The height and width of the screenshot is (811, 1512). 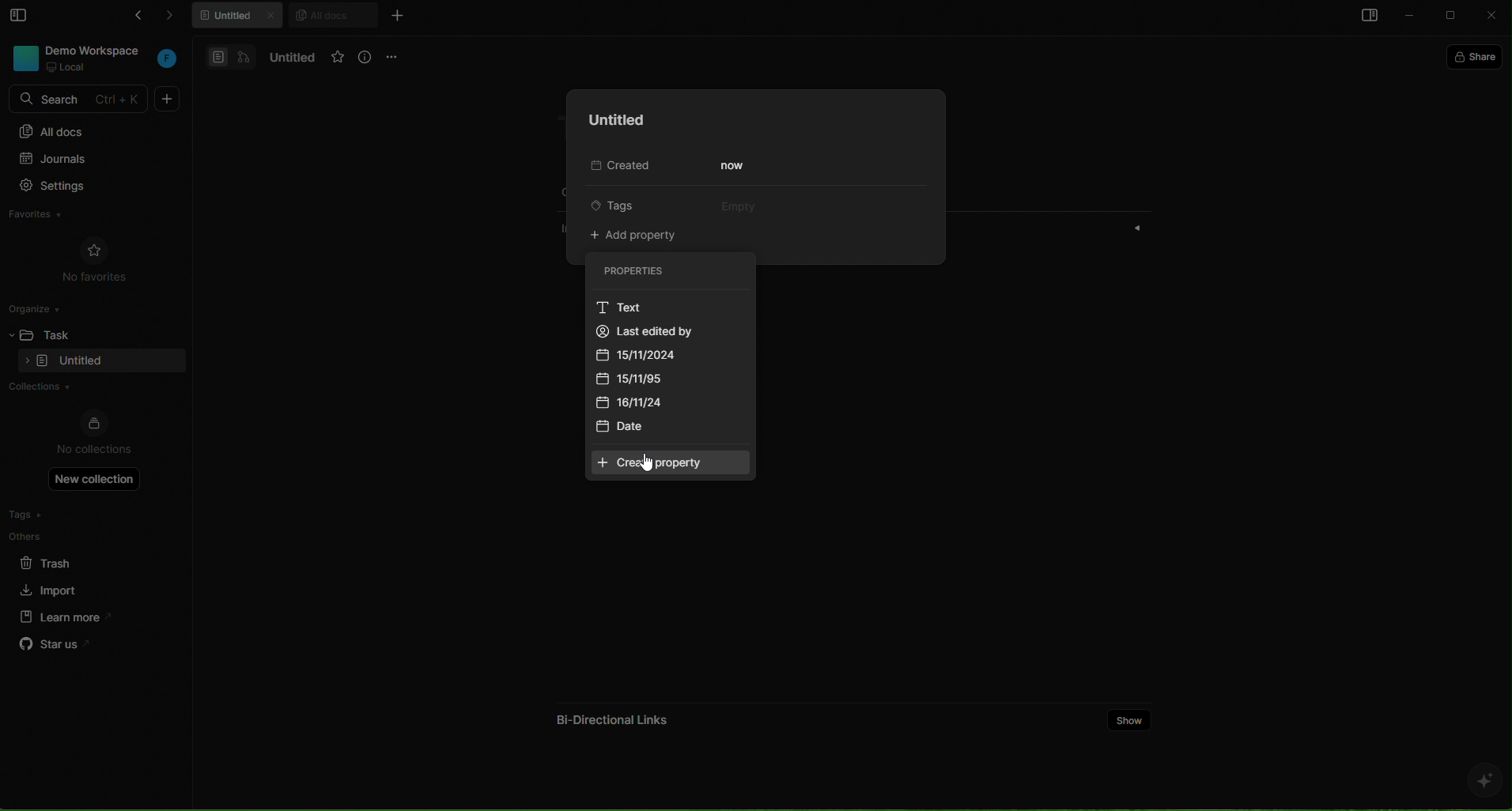 What do you see at coordinates (626, 204) in the screenshot?
I see `tags` at bounding box center [626, 204].